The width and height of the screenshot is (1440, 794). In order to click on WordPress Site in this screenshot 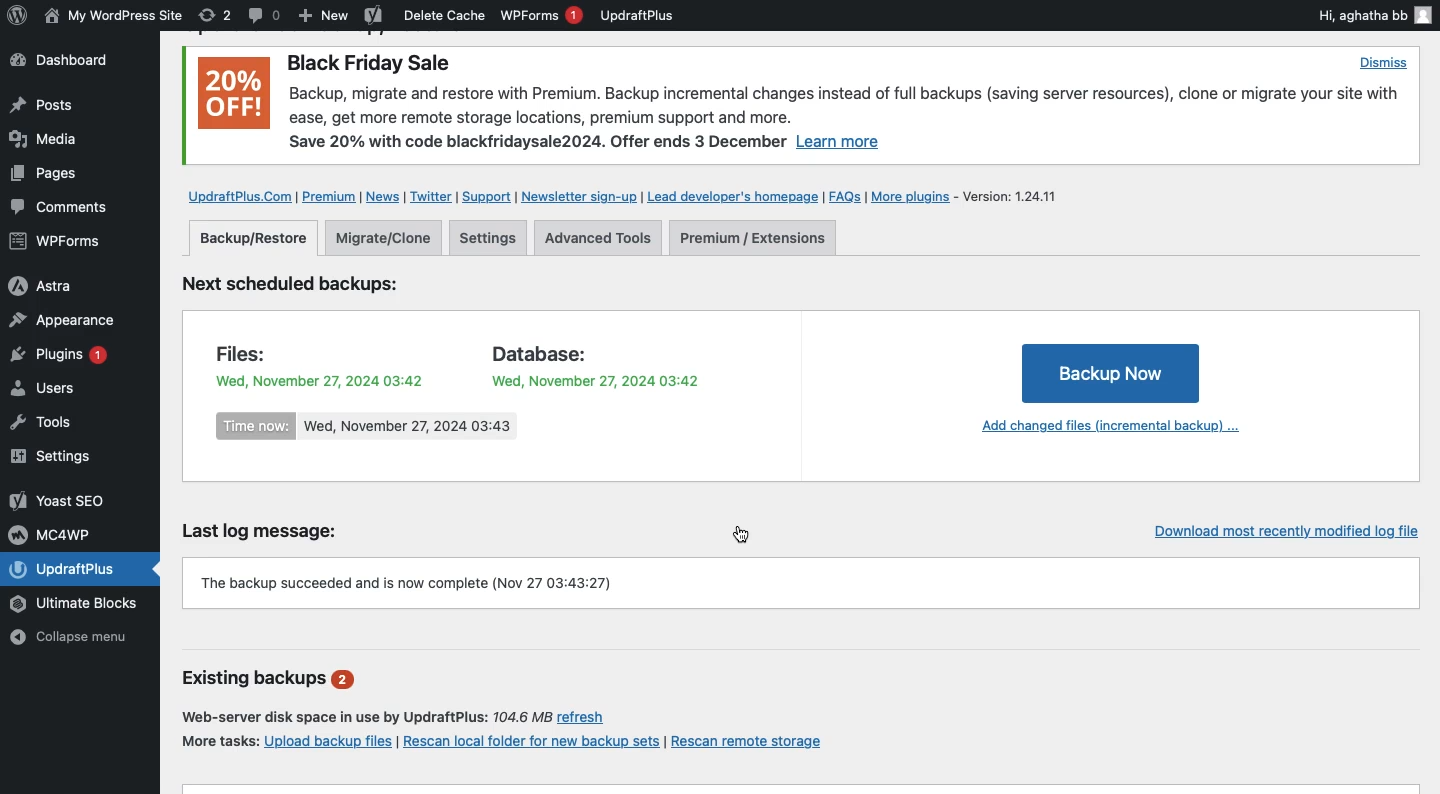, I will do `click(111, 16)`.